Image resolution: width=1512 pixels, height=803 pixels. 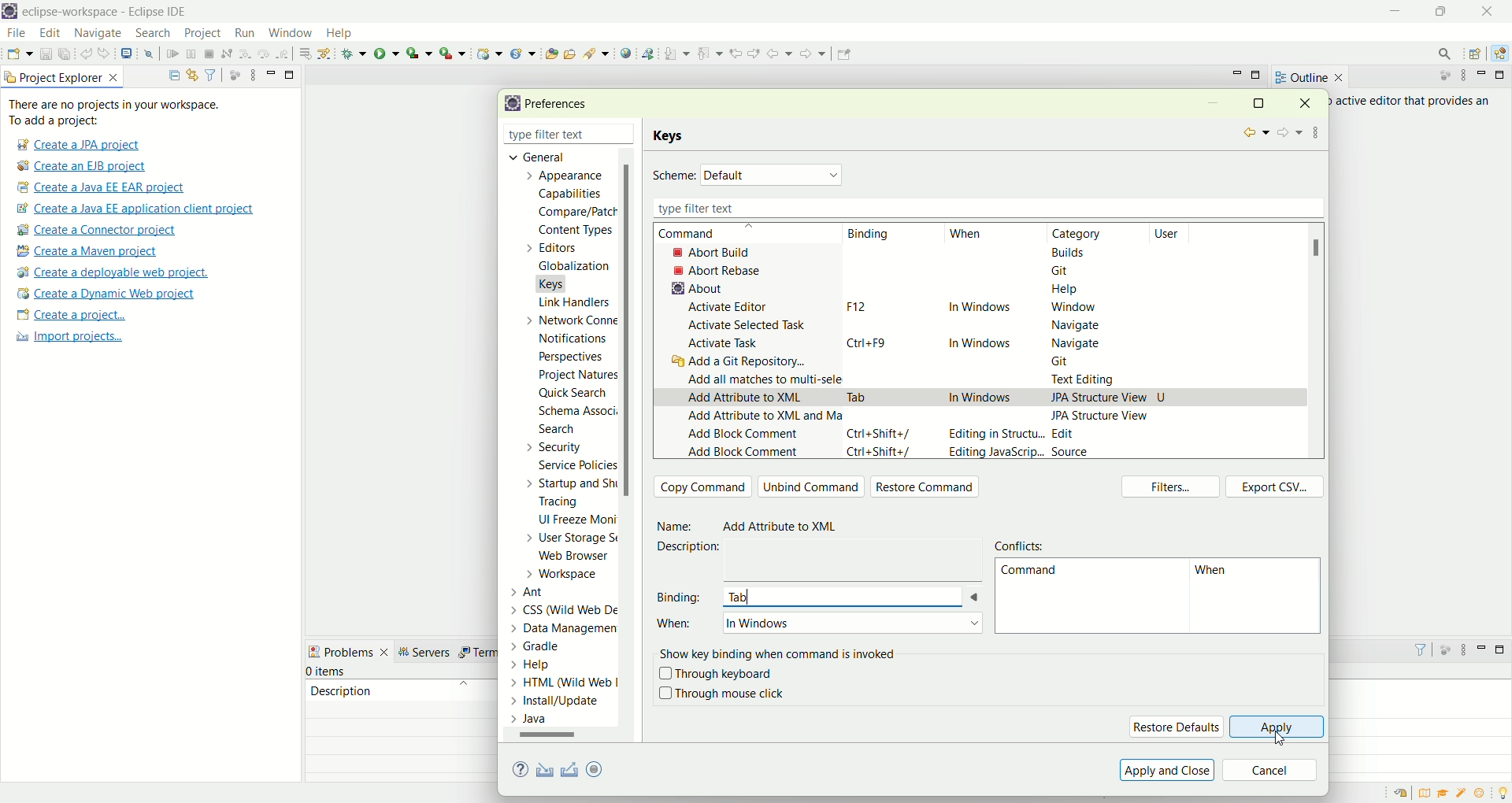 I want to click on filters, so click(x=1174, y=488).